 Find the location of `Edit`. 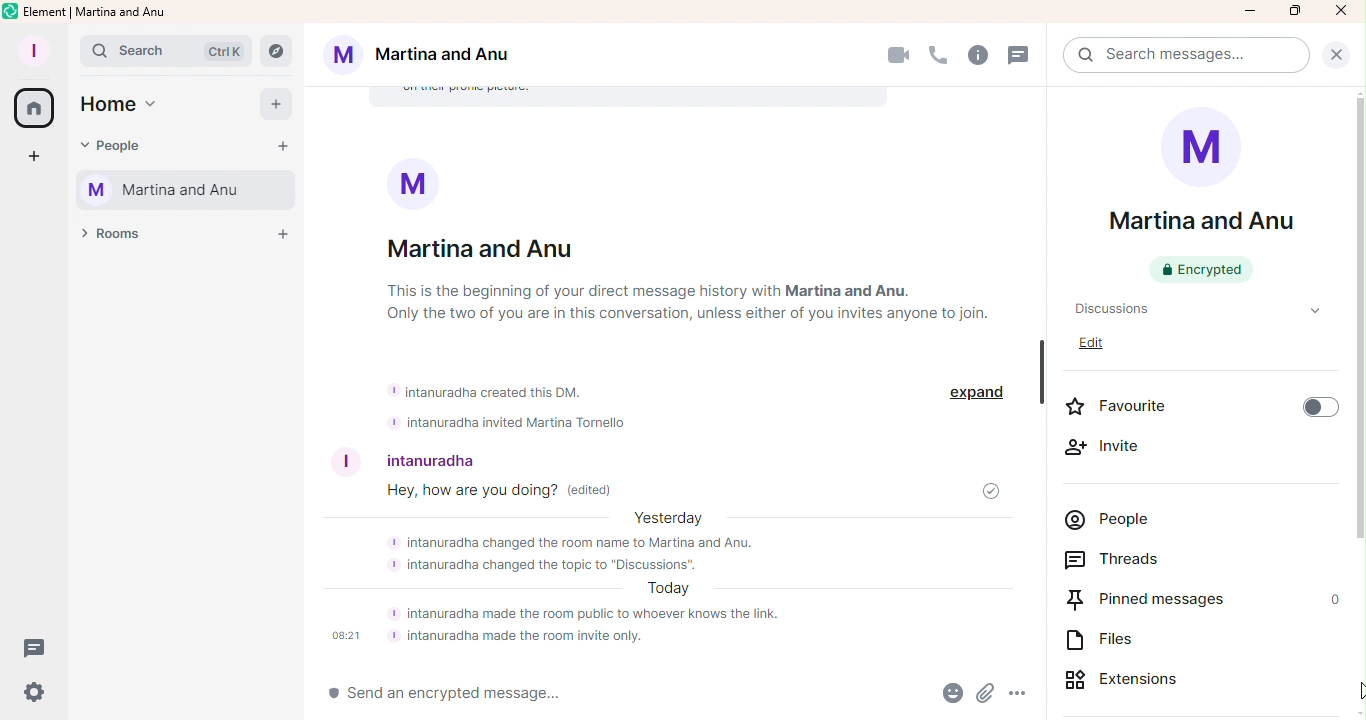

Edit is located at coordinates (1085, 342).